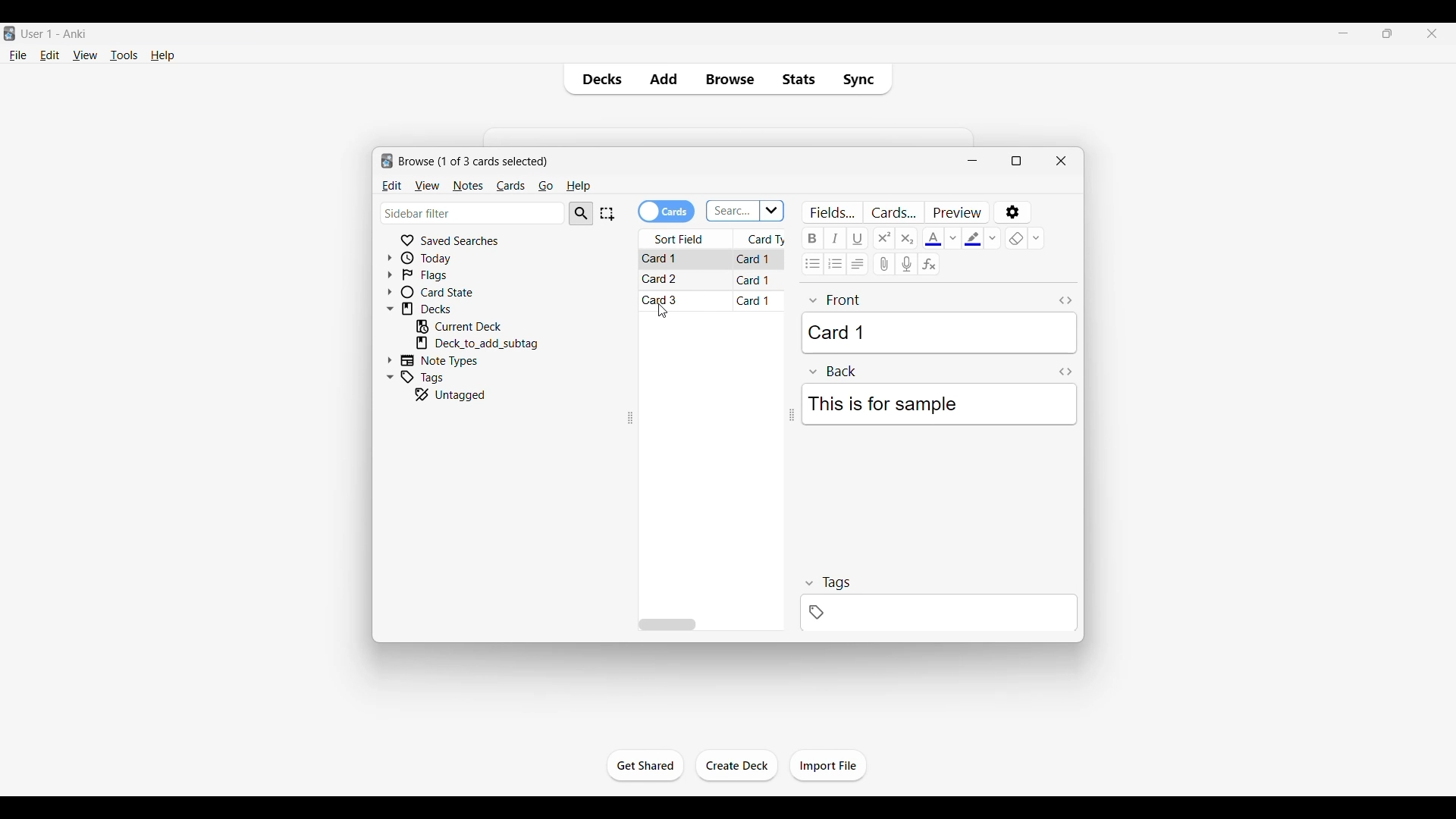  What do you see at coordinates (939, 613) in the screenshot?
I see `Click to add tag` at bounding box center [939, 613].